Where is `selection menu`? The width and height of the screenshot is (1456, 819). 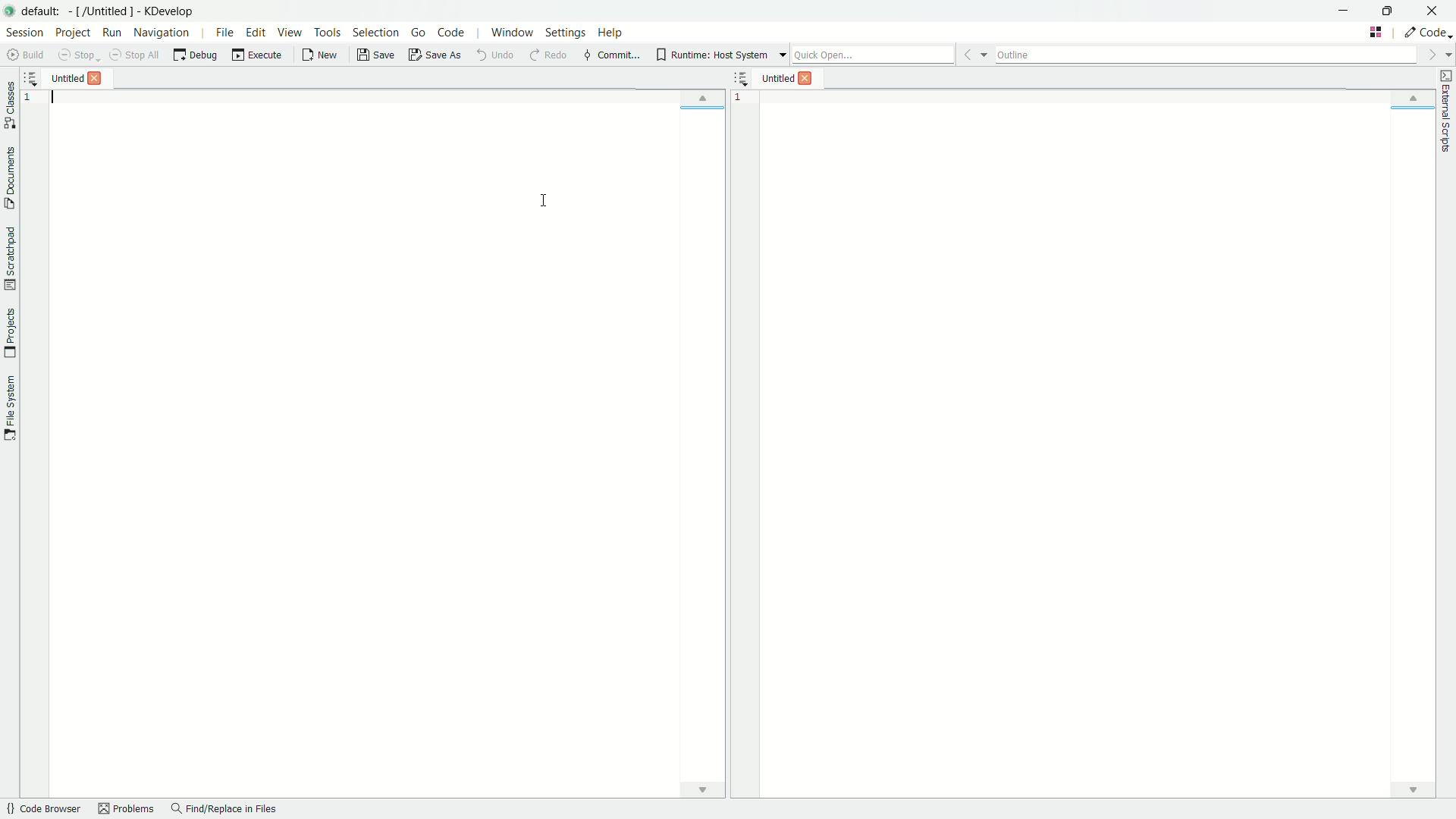 selection menu is located at coordinates (375, 33).